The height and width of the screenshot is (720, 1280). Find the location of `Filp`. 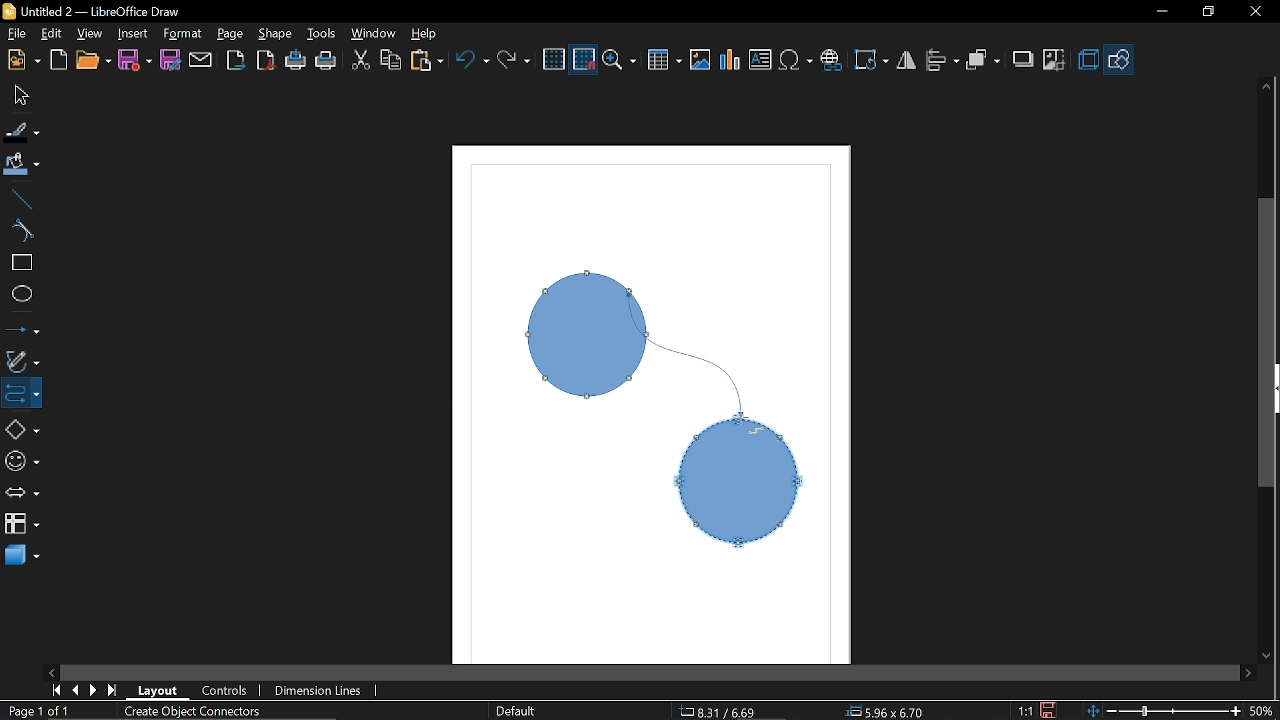

Filp is located at coordinates (907, 63).